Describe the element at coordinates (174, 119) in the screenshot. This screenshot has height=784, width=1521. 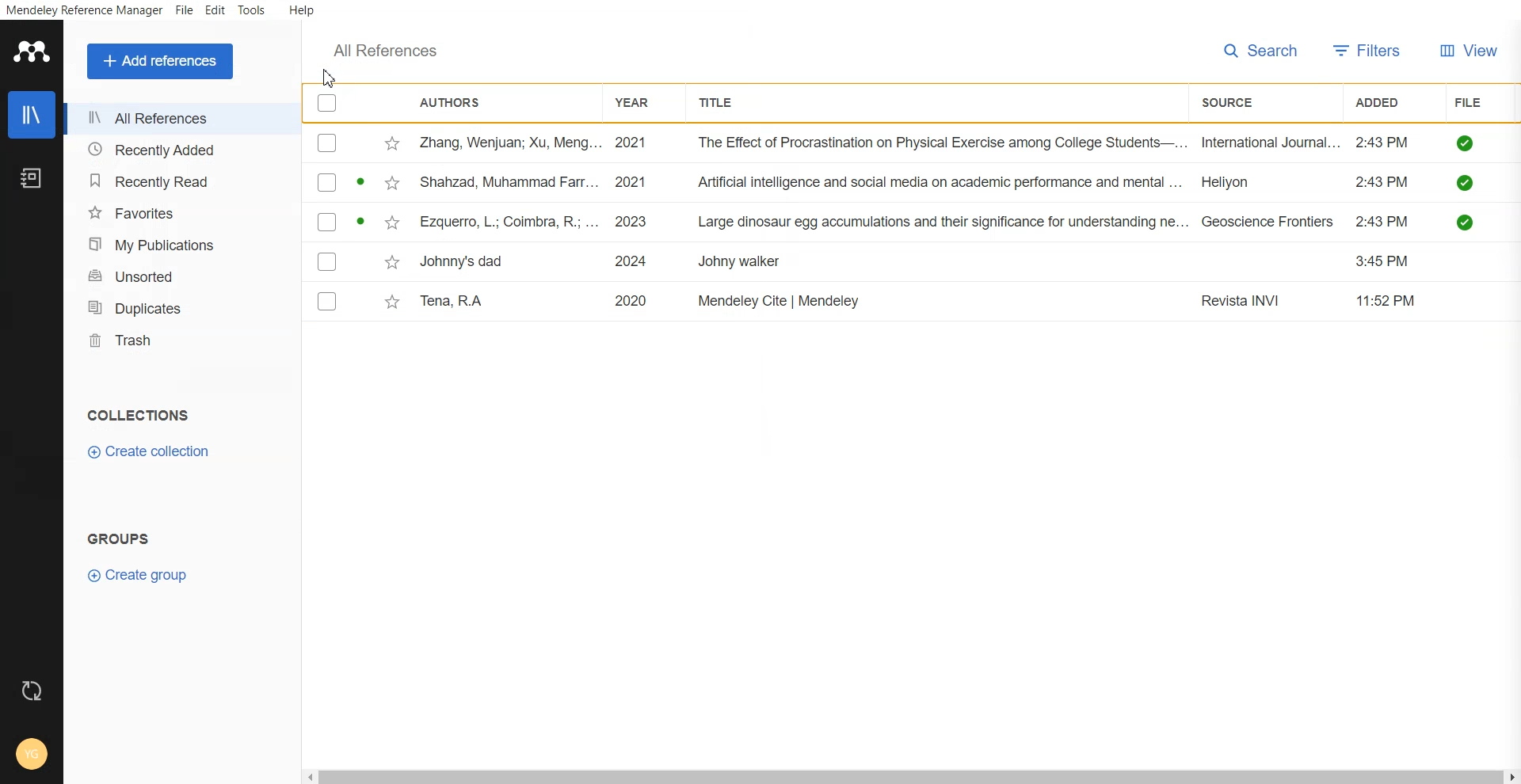
I see `All References` at that location.